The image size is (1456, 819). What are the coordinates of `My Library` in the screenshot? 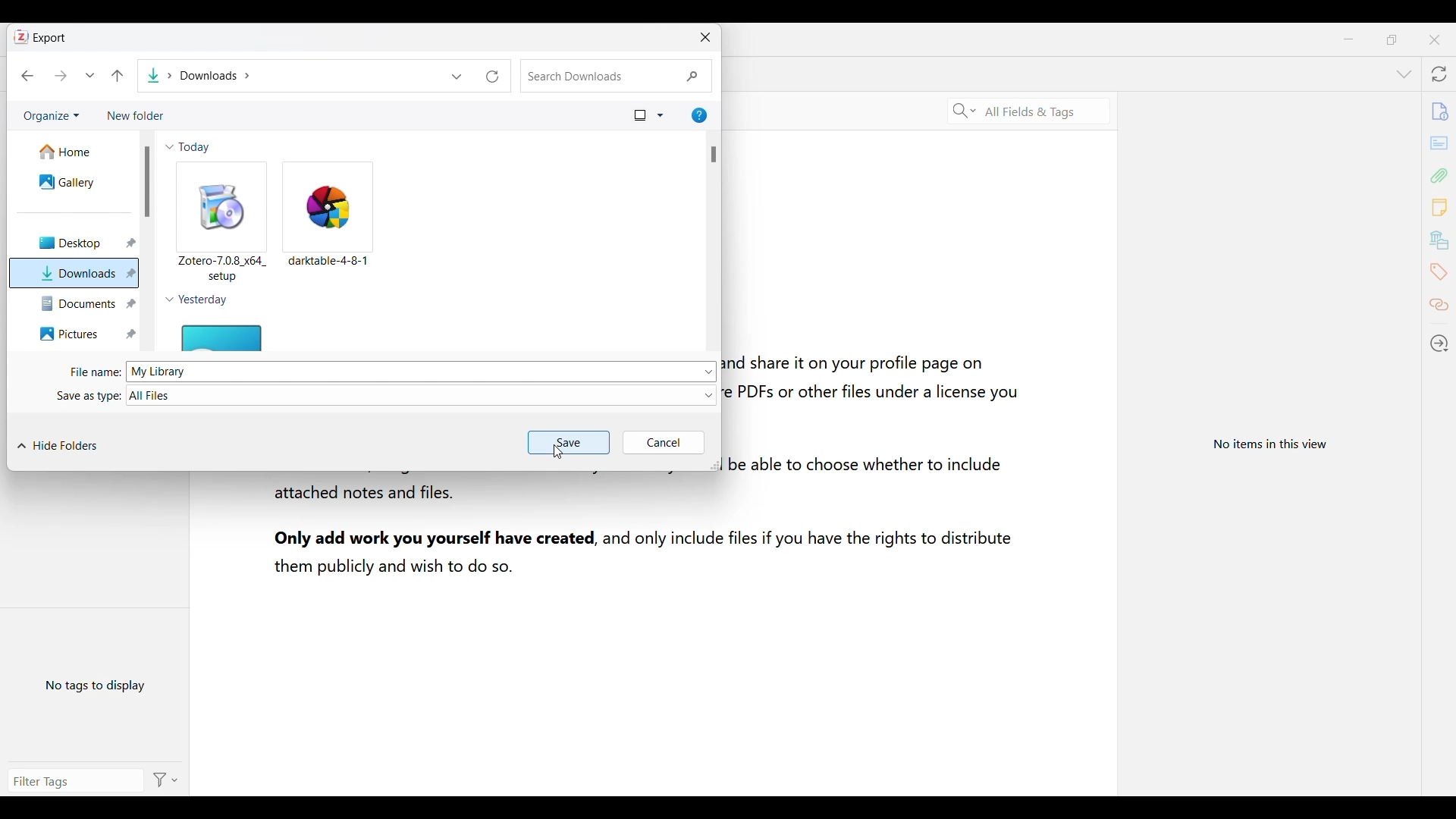 It's located at (422, 367).